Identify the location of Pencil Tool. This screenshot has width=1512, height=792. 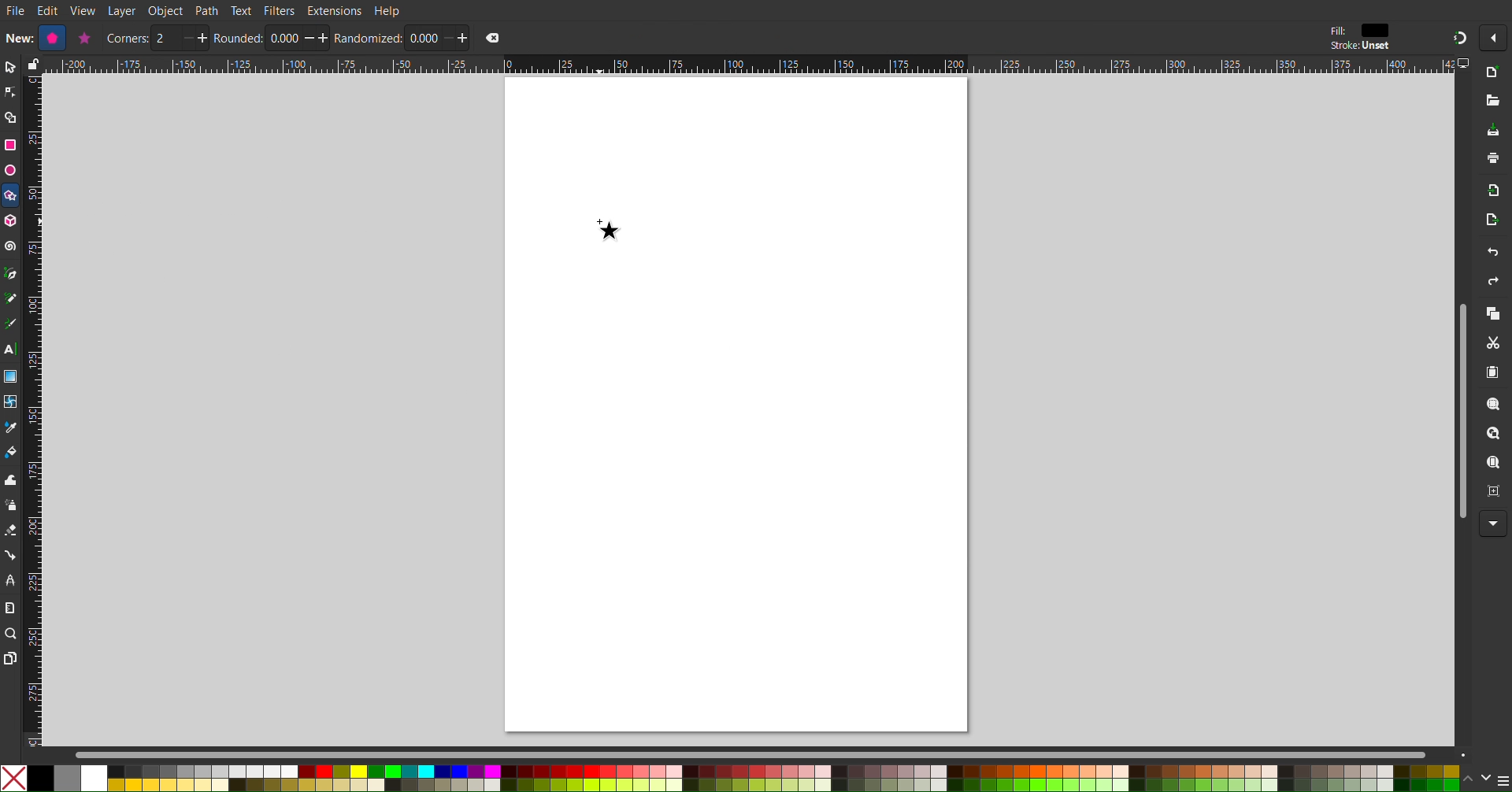
(10, 300).